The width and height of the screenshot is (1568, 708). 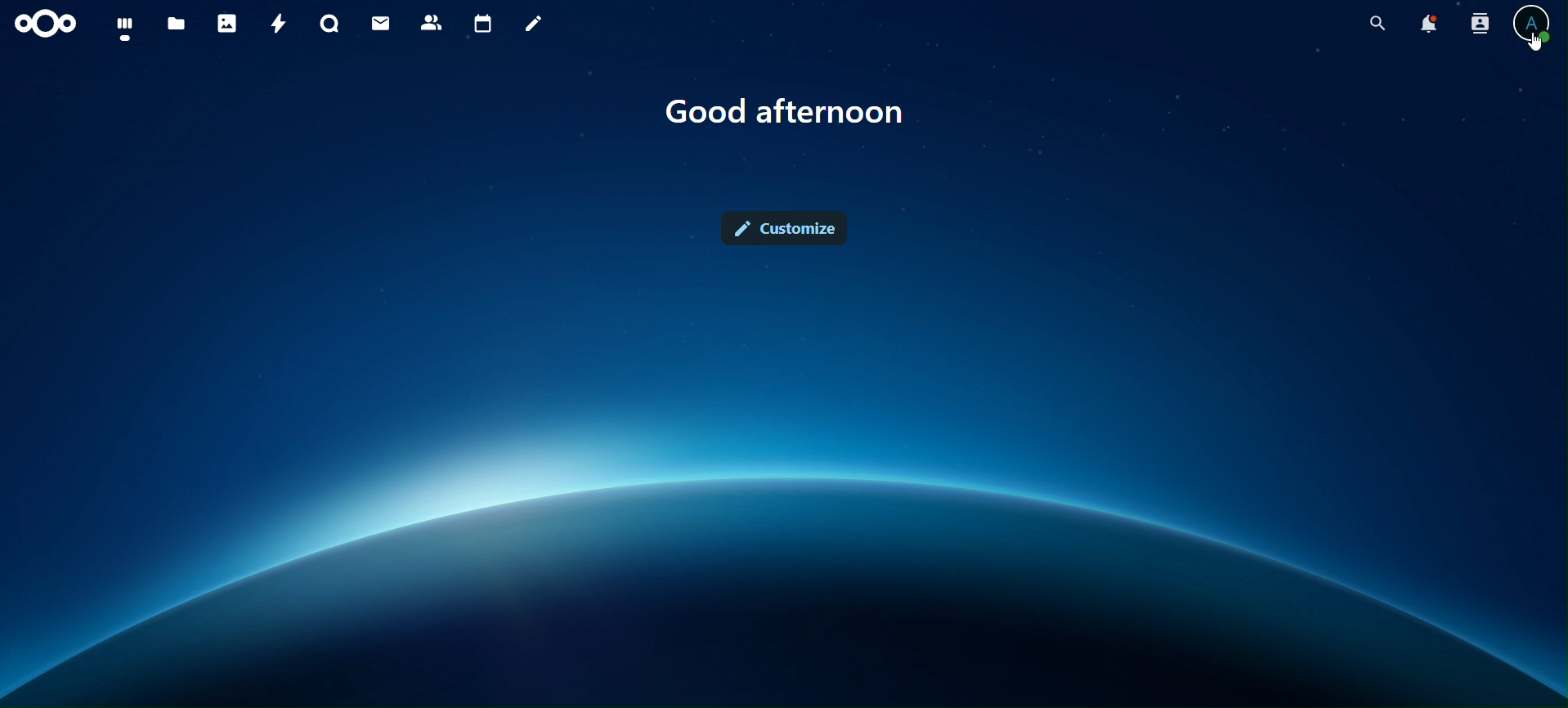 I want to click on calendar, so click(x=482, y=21).